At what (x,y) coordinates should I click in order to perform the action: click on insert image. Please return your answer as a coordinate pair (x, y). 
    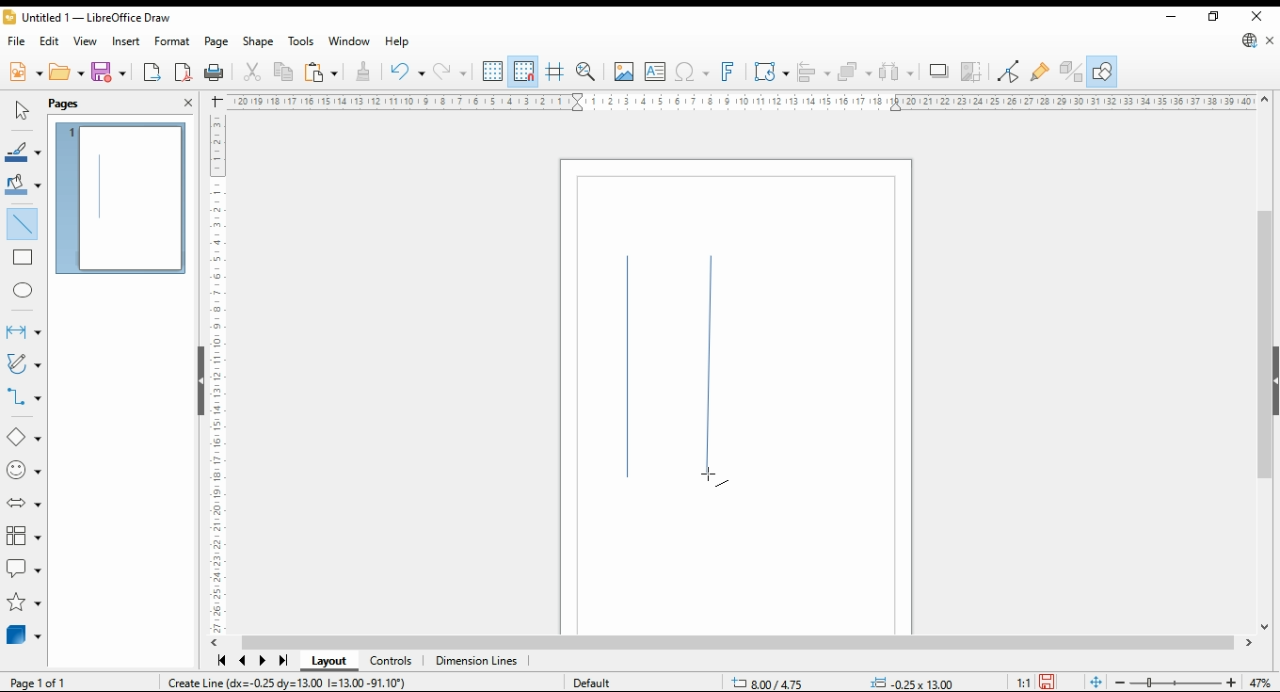
    Looking at the image, I should click on (624, 71).